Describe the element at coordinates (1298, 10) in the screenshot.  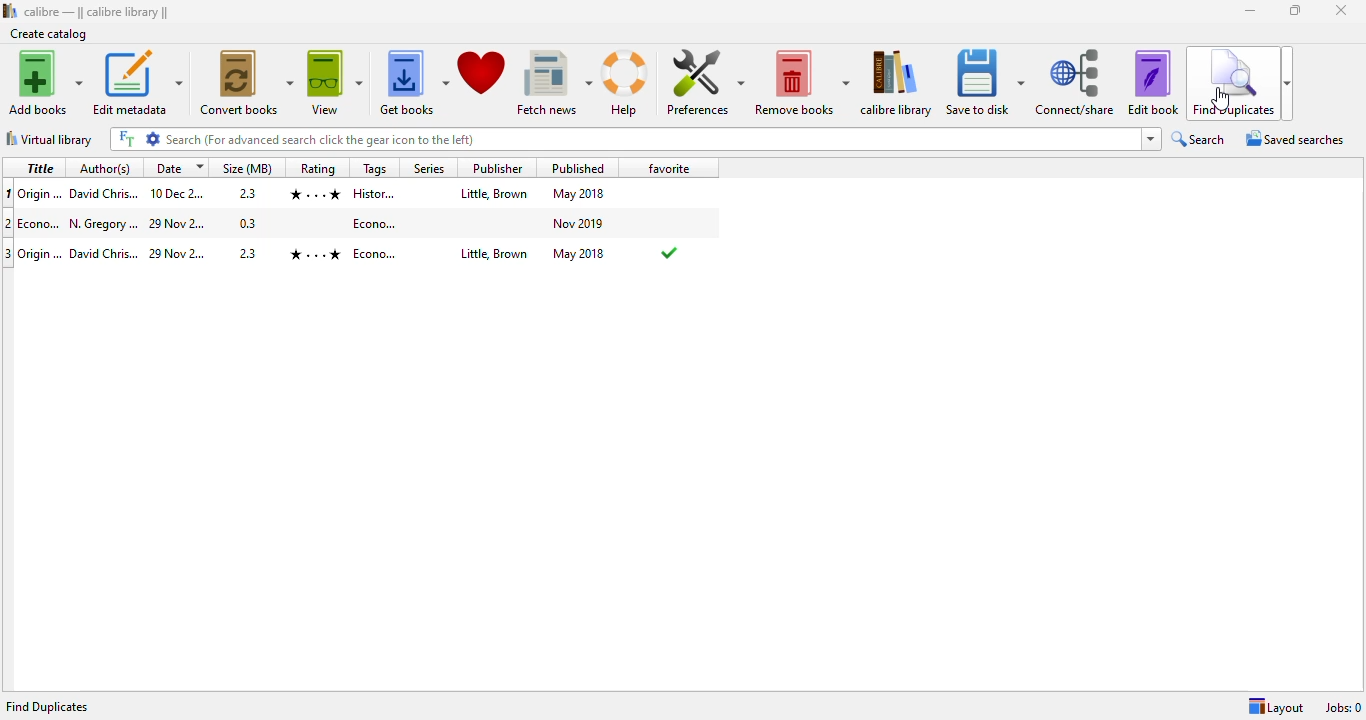
I see `maximize` at that location.